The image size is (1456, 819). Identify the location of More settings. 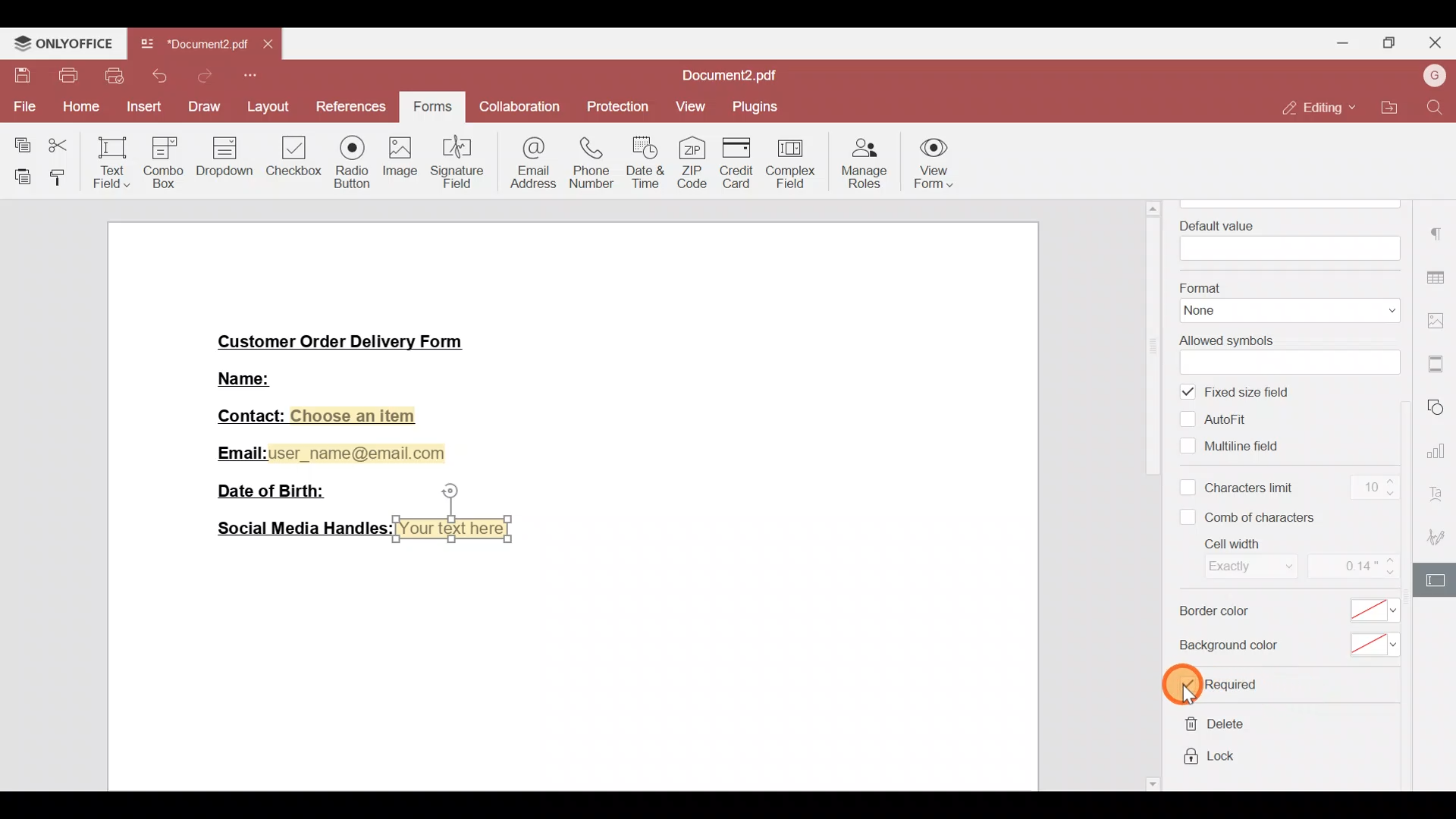
(1438, 359).